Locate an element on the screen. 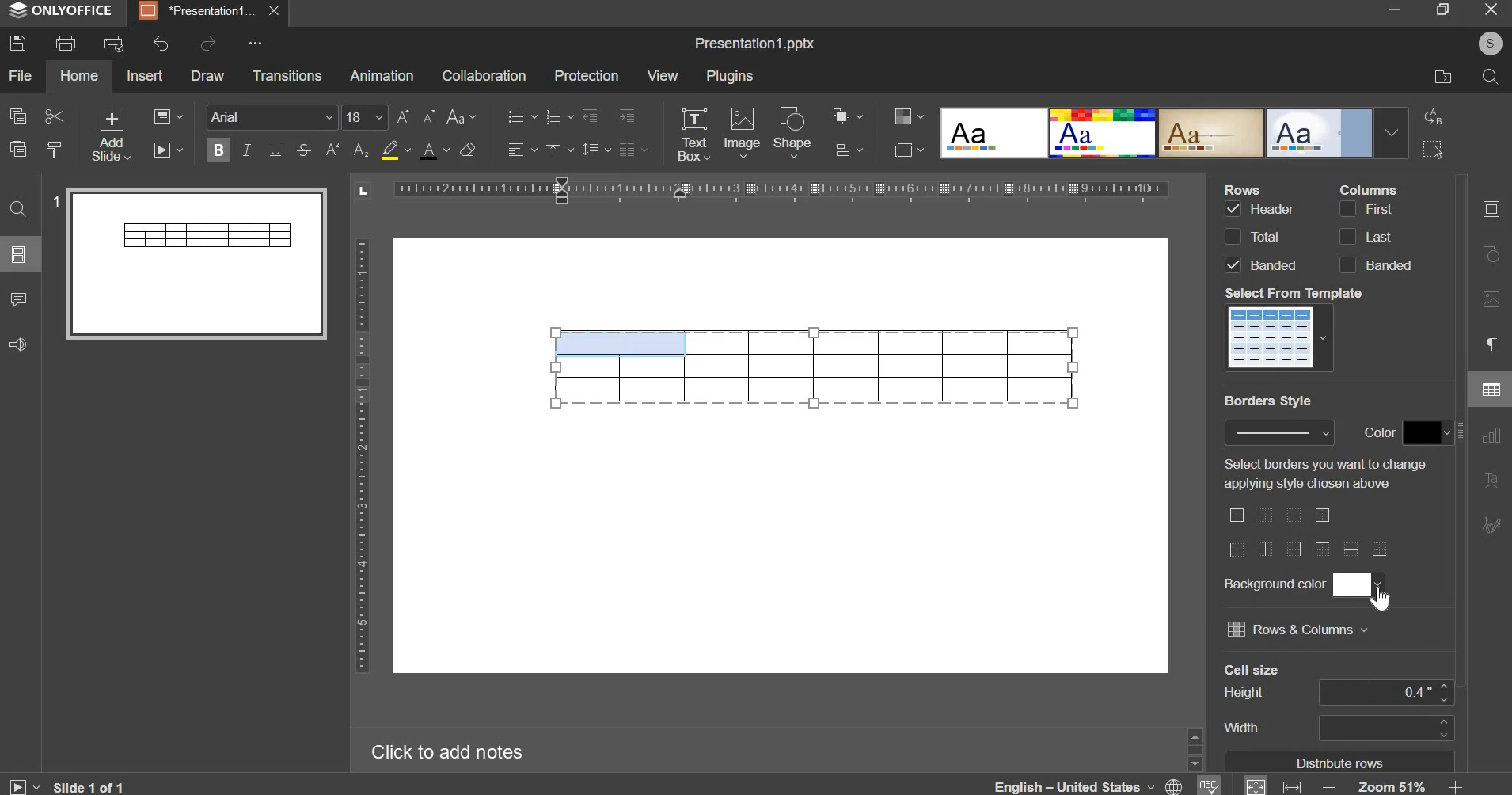 This screenshot has width=1512, height=795. view is located at coordinates (663, 75).